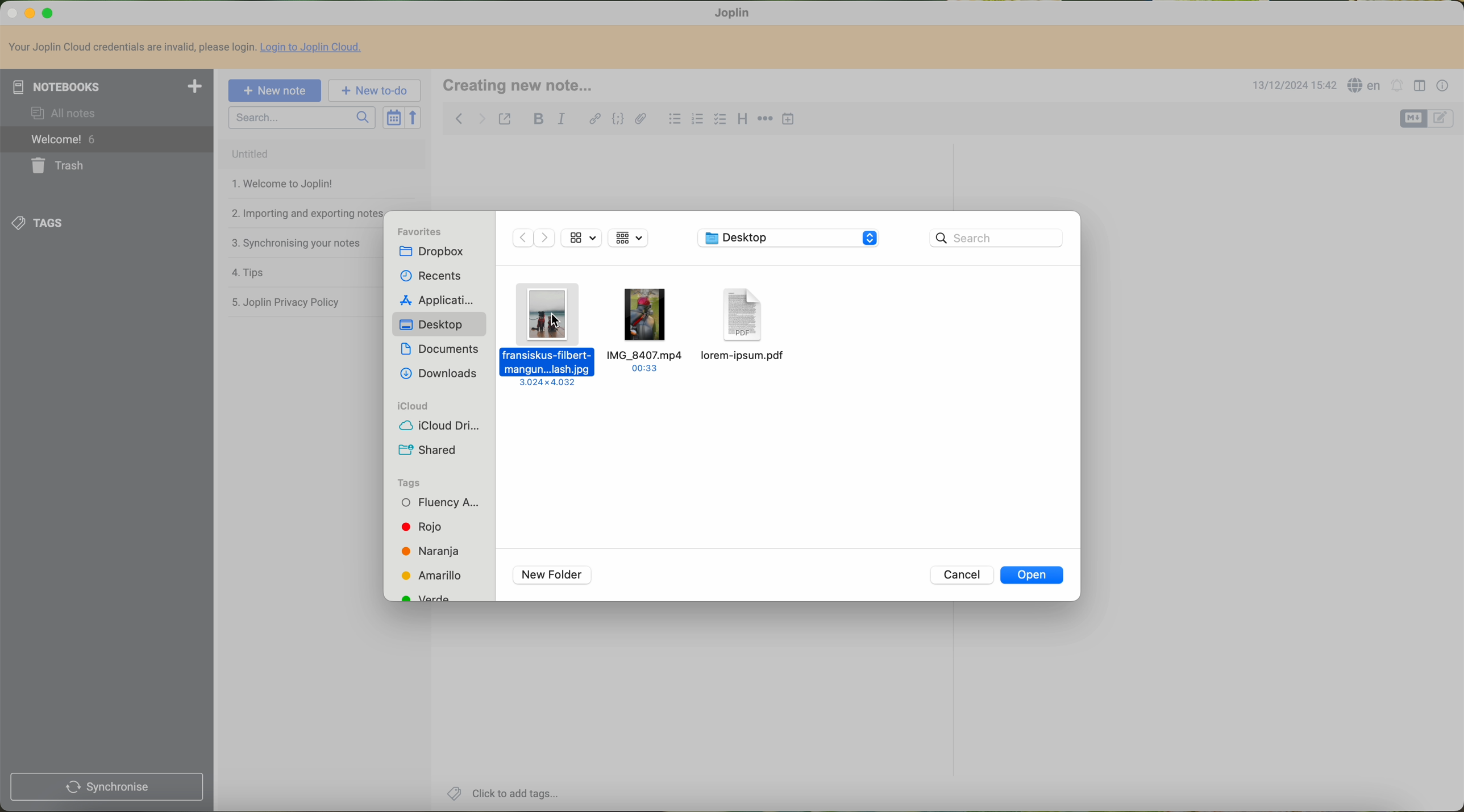 The image size is (1464, 812). What do you see at coordinates (635, 239) in the screenshot?
I see `mosaic view` at bounding box center [635, 239].